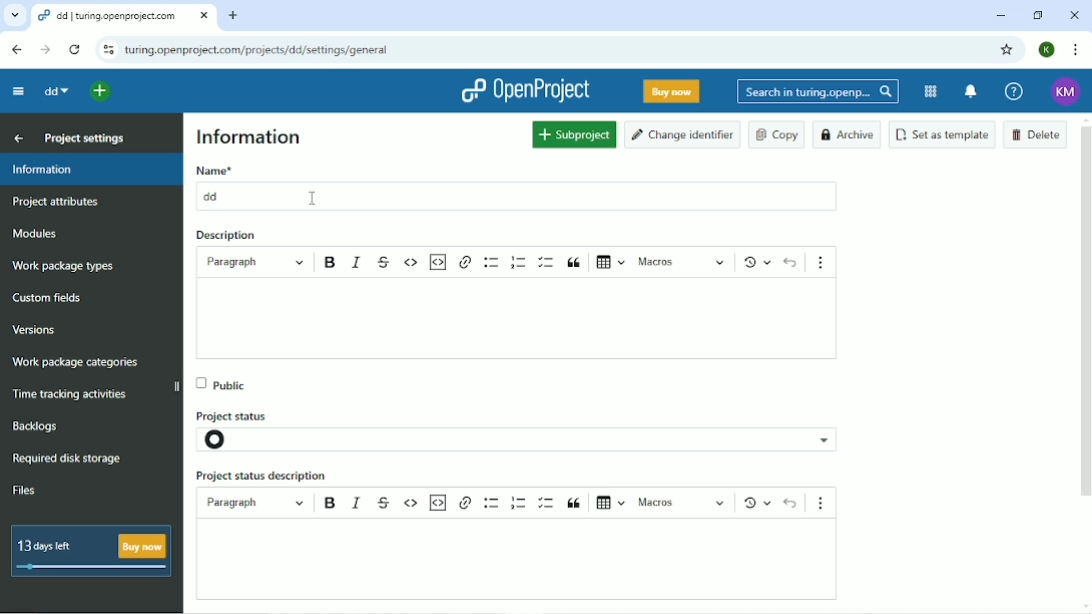 Image resolution: width=1092 pixels, height=614 pixels. What do you see at coordinates (75, 50) in the screenshot?
I see `Reload this page` at bounding box center [75, 50].